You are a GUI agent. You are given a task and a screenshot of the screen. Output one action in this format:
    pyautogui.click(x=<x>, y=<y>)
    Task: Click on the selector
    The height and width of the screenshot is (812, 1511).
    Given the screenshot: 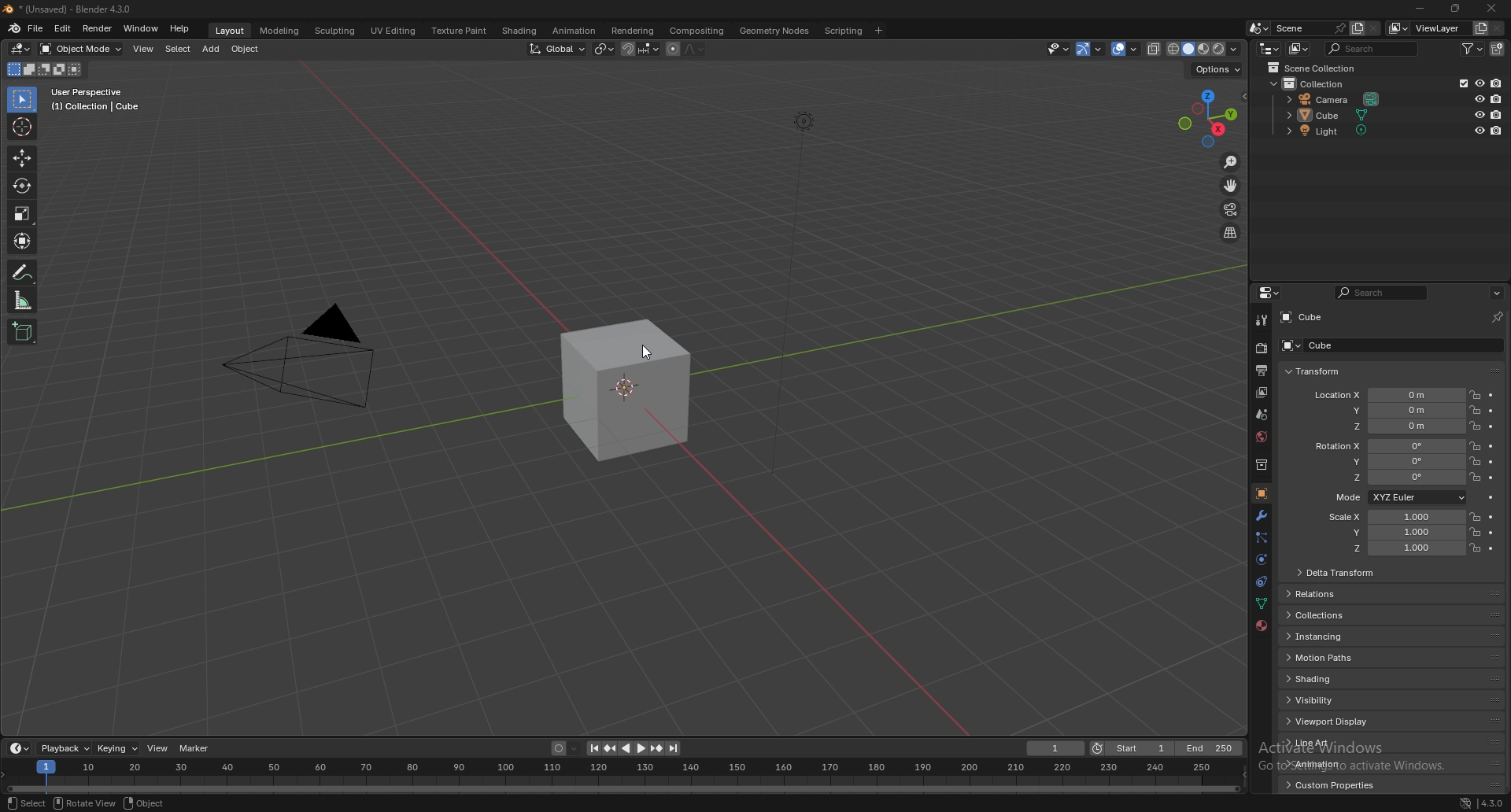 What is the action you would take?
    pyautogui.click(x=23, y=99)
    